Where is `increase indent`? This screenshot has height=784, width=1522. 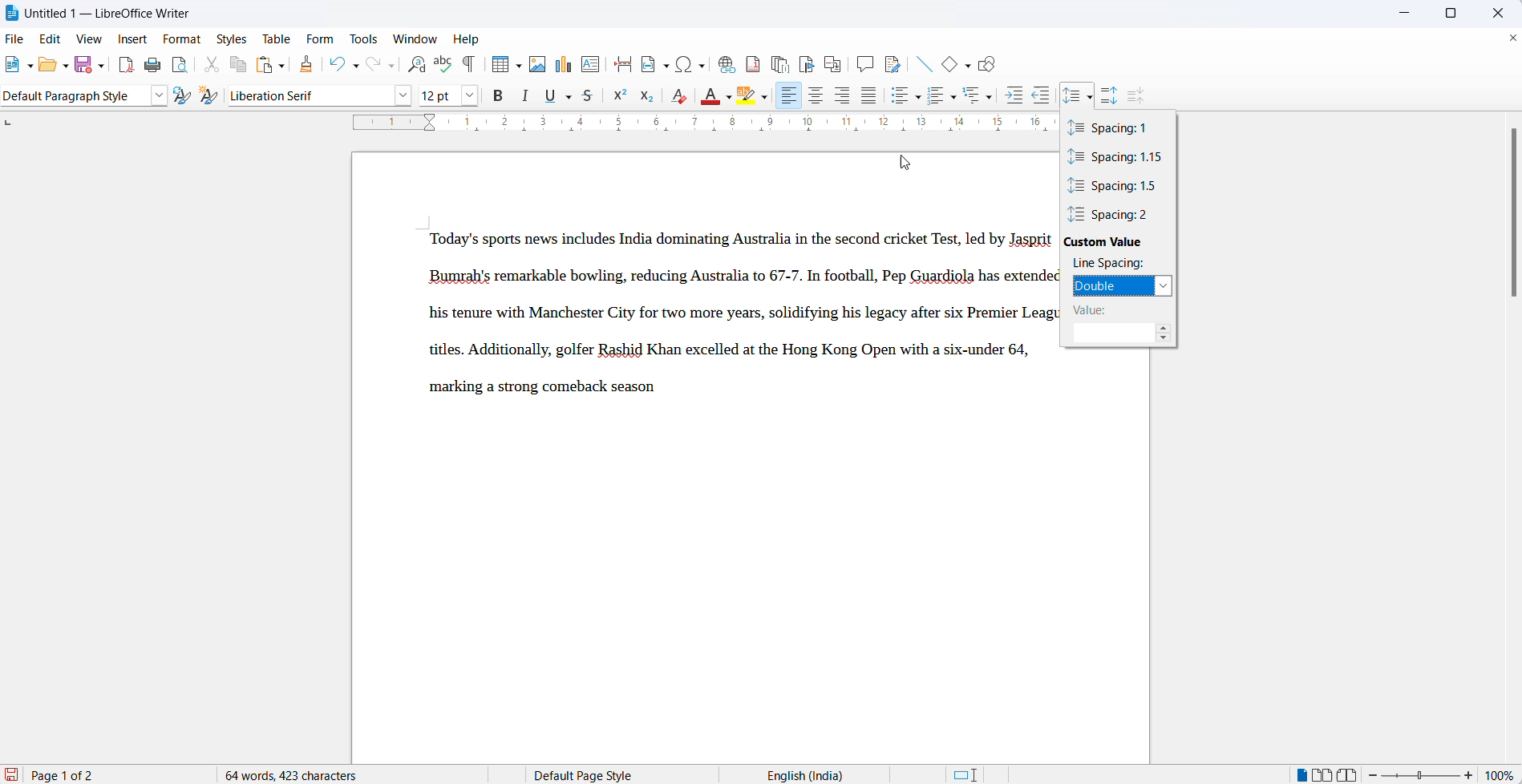 increase indent is located at coordinates (1017, 96).